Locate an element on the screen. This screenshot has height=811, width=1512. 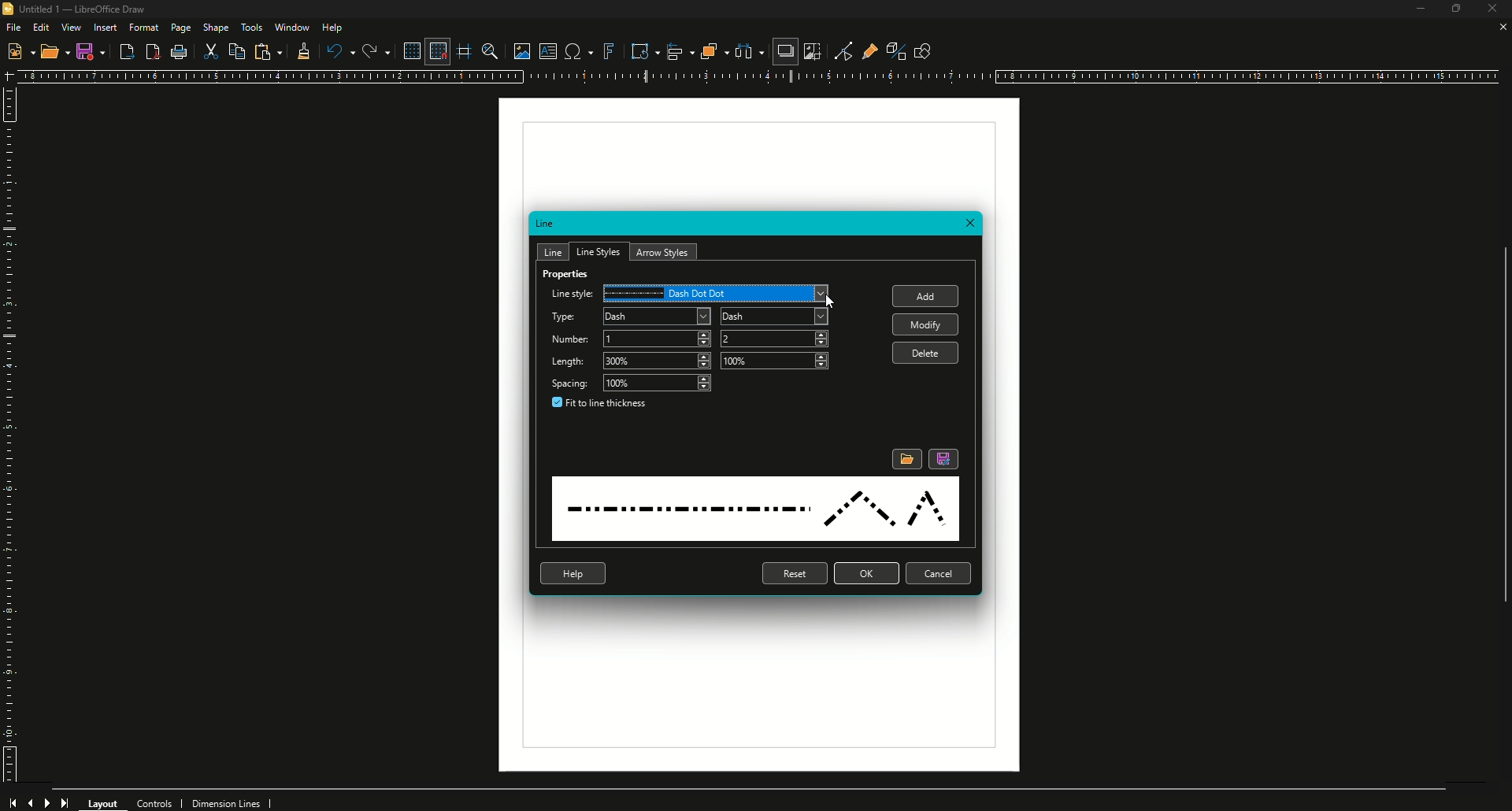
Insert is located at coordinates (105, 28).